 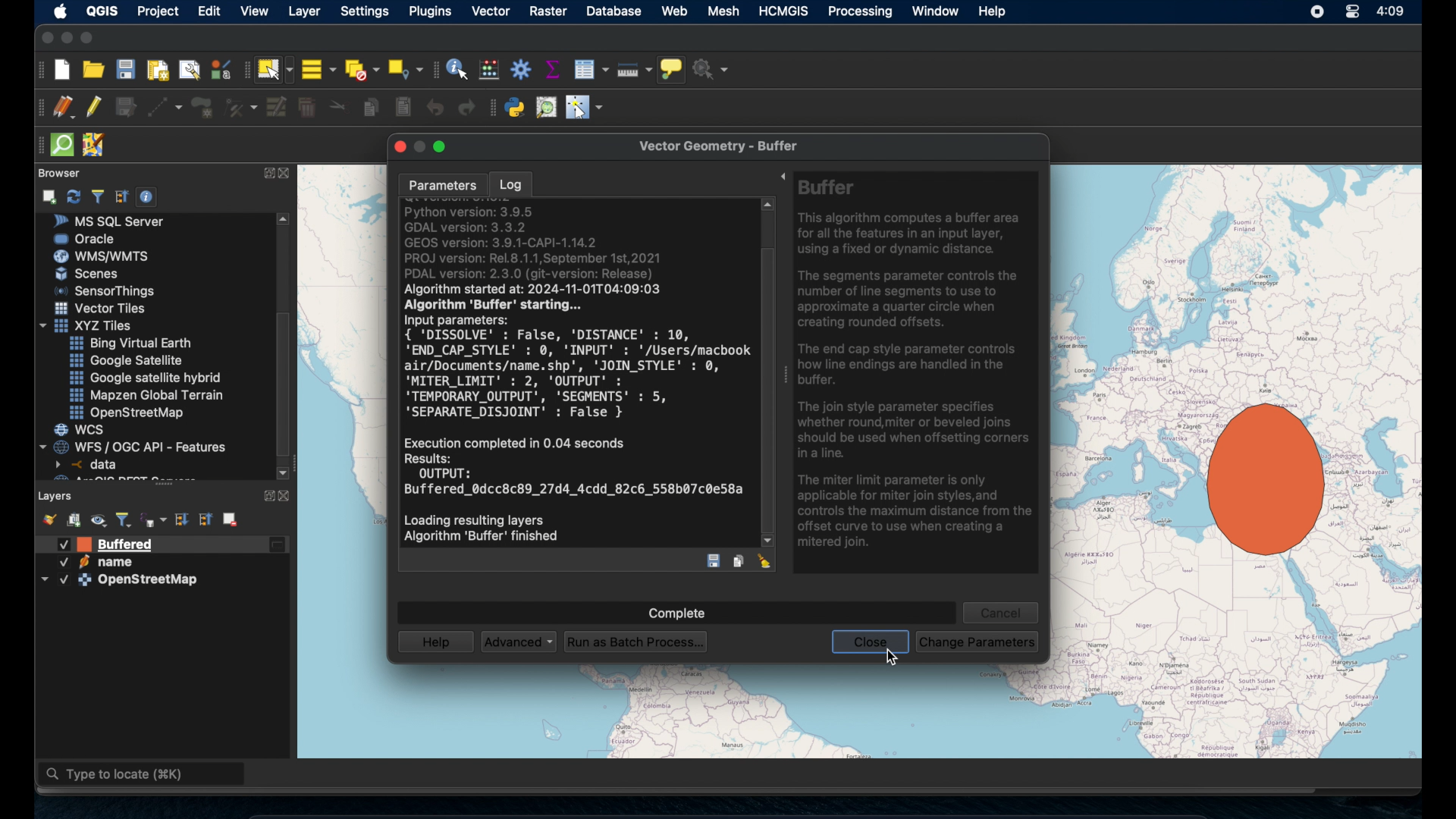 What do you see at coordinates (62, 107) in the screenshot?
I see `current edits` at bounding box center [62, 107].